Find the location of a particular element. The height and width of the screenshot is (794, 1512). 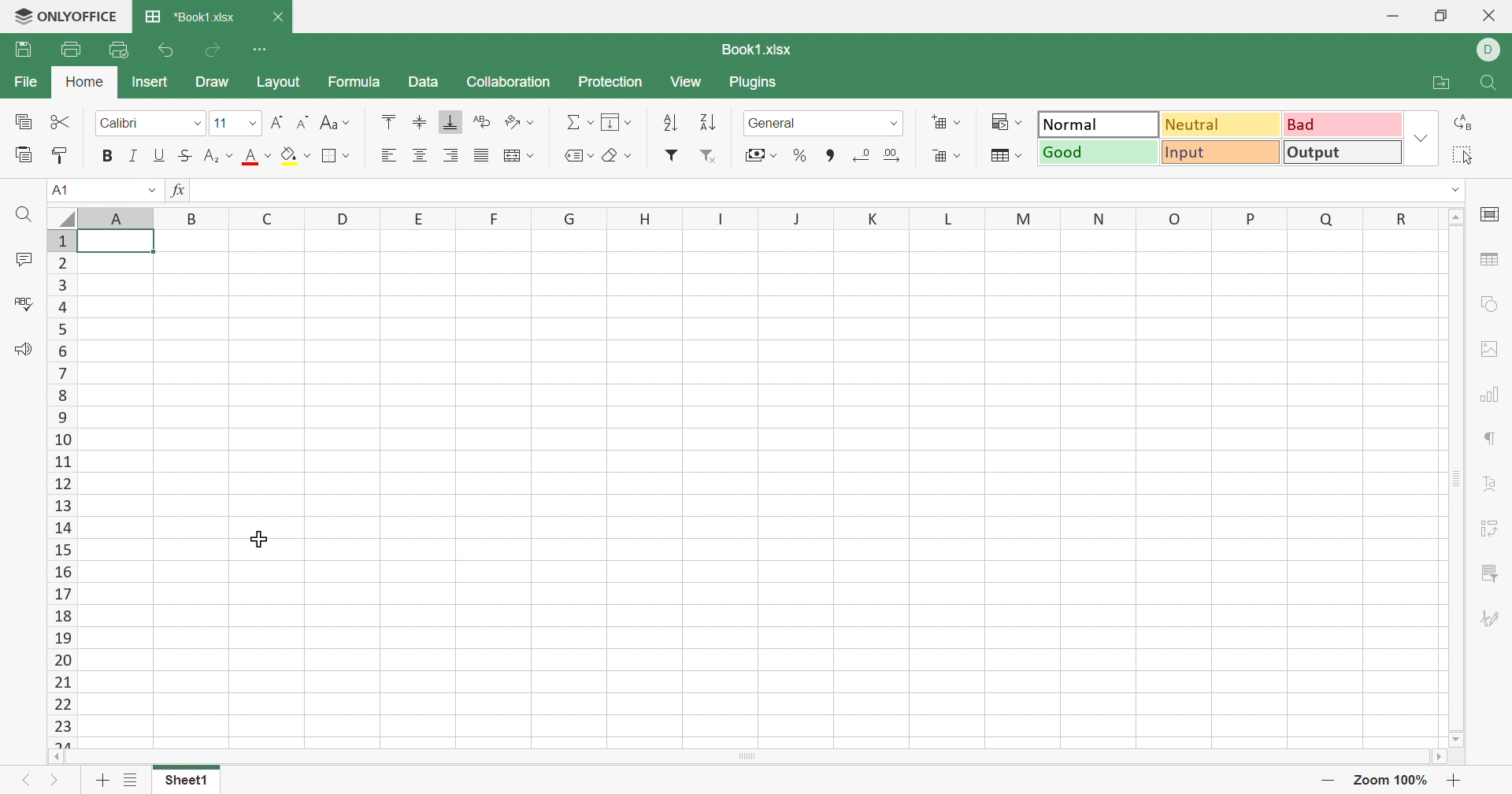

*Book1.xlsx is located at coordinates (194, 14).